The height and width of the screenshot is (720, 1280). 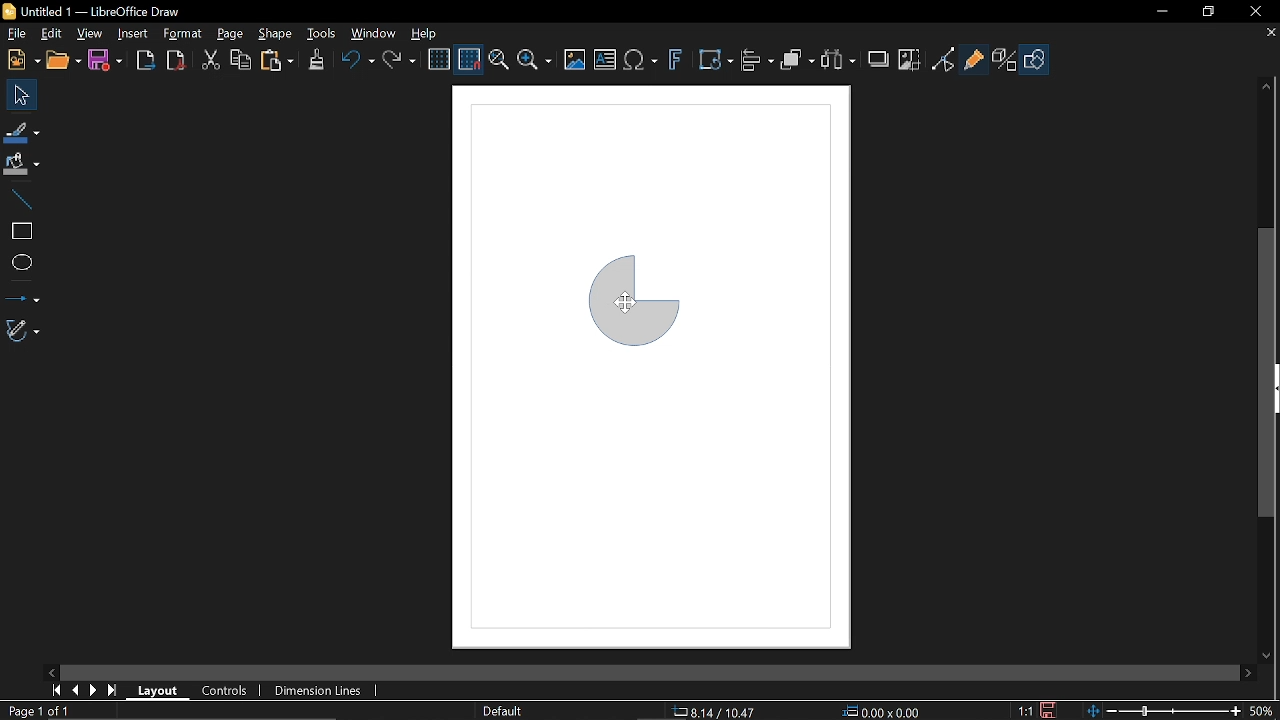 What do you see at coordinates (38, 710) in the screenshot?
I see `Page 1 of 1` at bounding box center [38, 710].